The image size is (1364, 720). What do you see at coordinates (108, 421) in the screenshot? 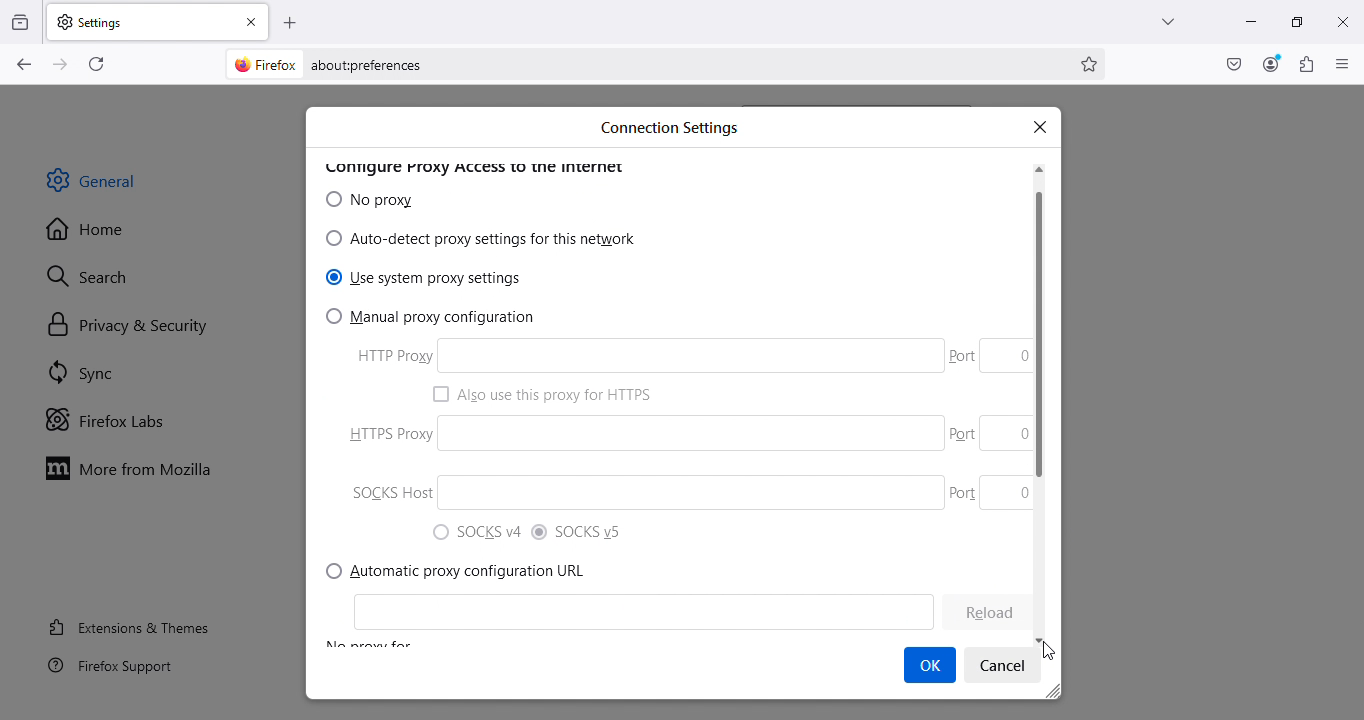
I see `Firefox labs` at bounding box center [108, 421].